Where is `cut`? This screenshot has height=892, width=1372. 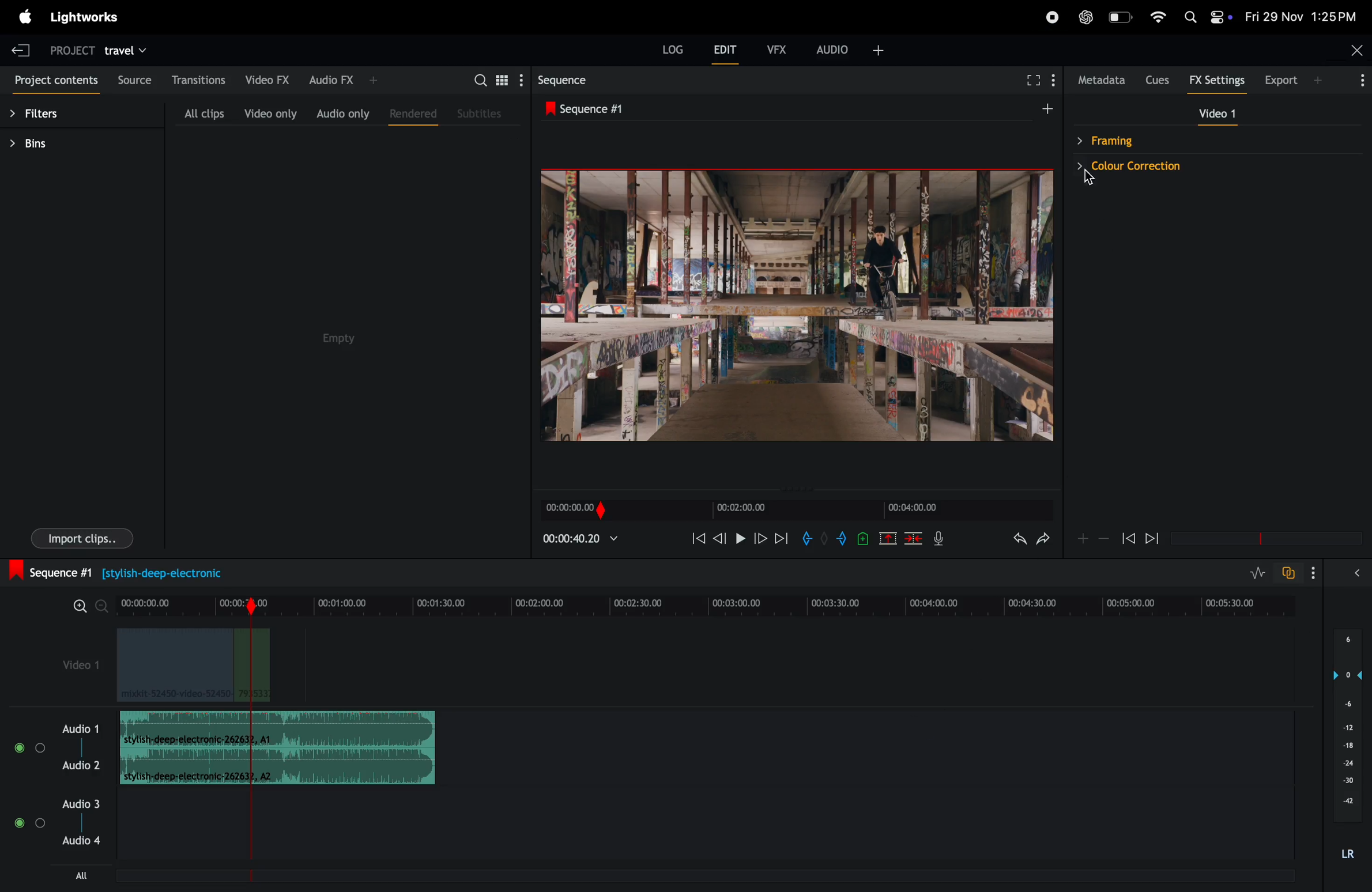
cut is located at coordinates (887, 540).